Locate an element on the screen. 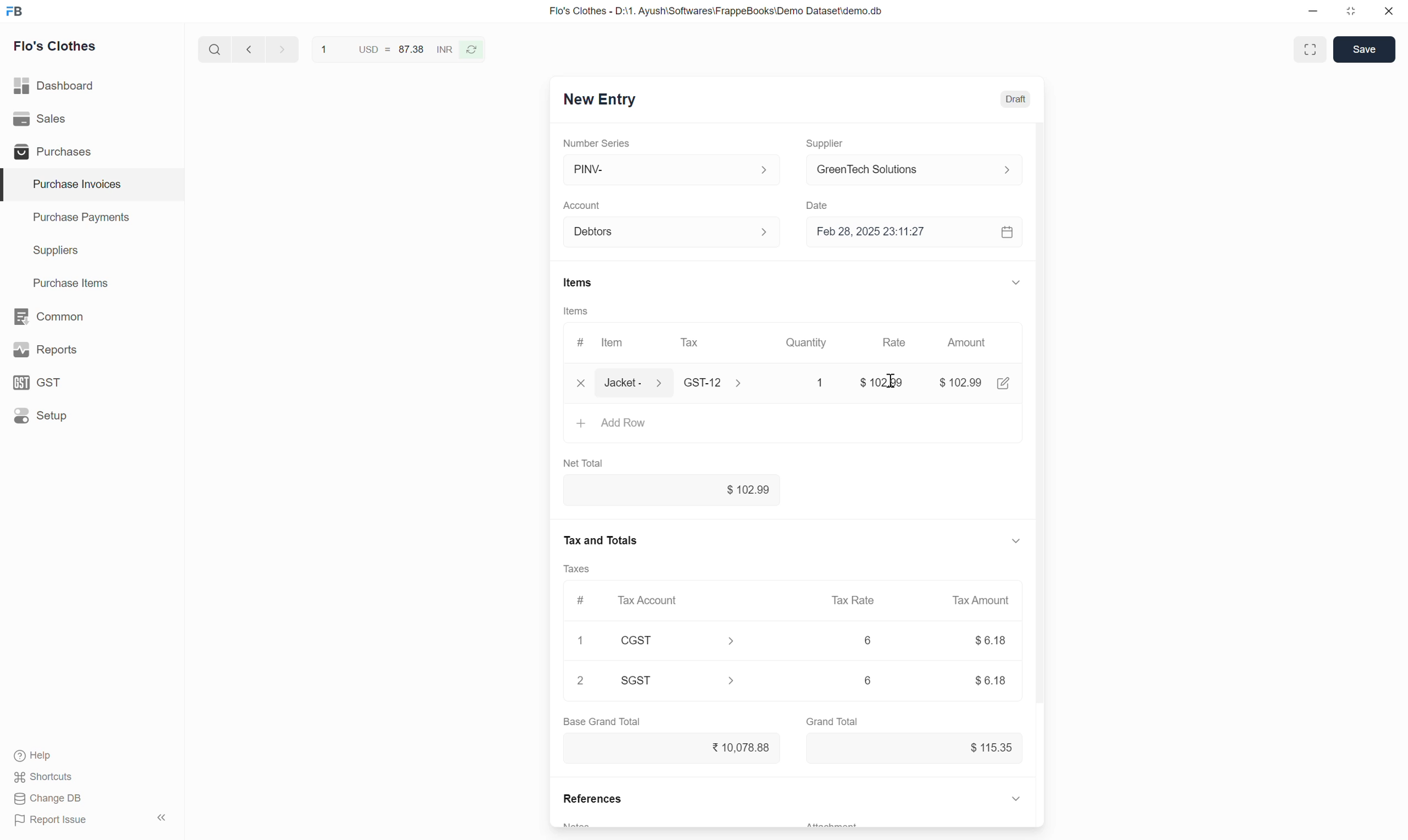 The width and height of the screenshot is (1408, 840). Close is located at coordinates (581, 383).